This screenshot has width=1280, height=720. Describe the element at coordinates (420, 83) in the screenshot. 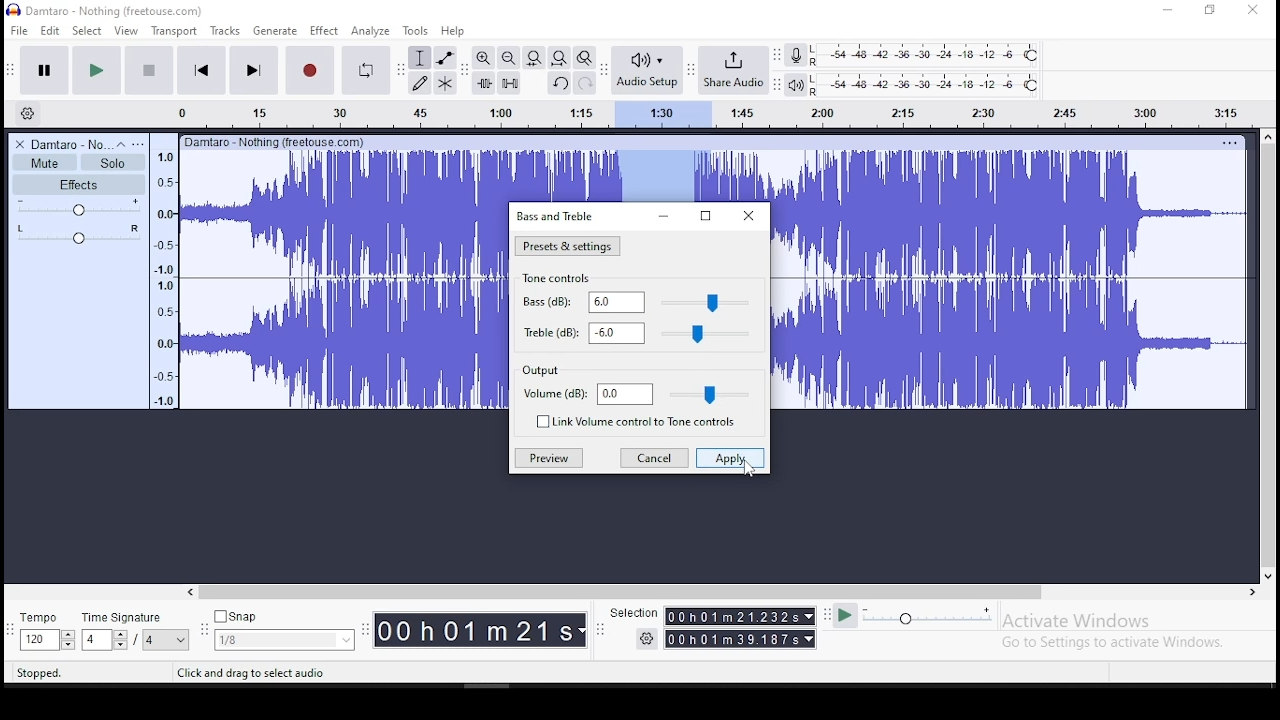

I see `draw tool` at that location.